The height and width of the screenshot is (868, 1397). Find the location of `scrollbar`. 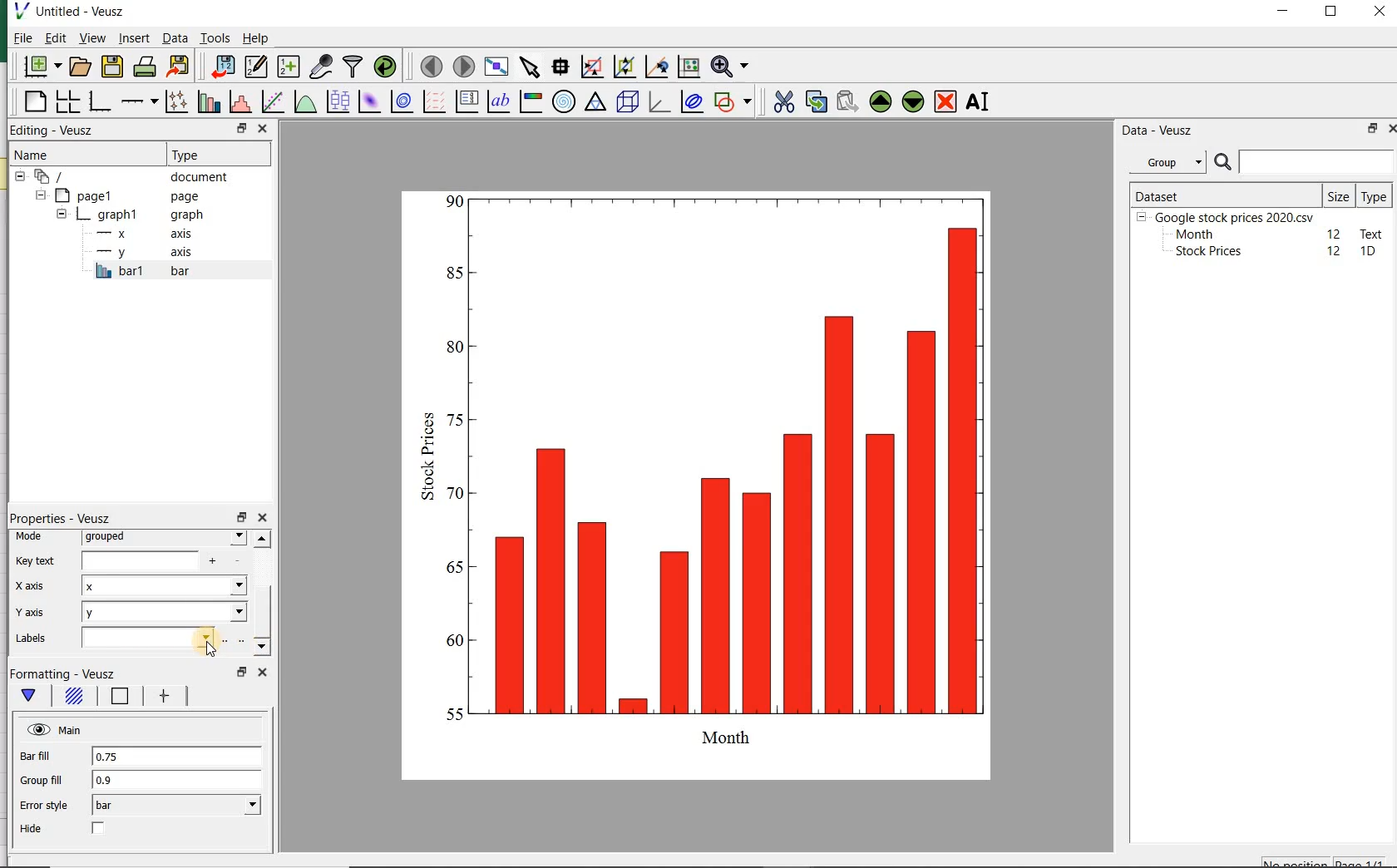

scrollbar is located at coordinates (261, 595).